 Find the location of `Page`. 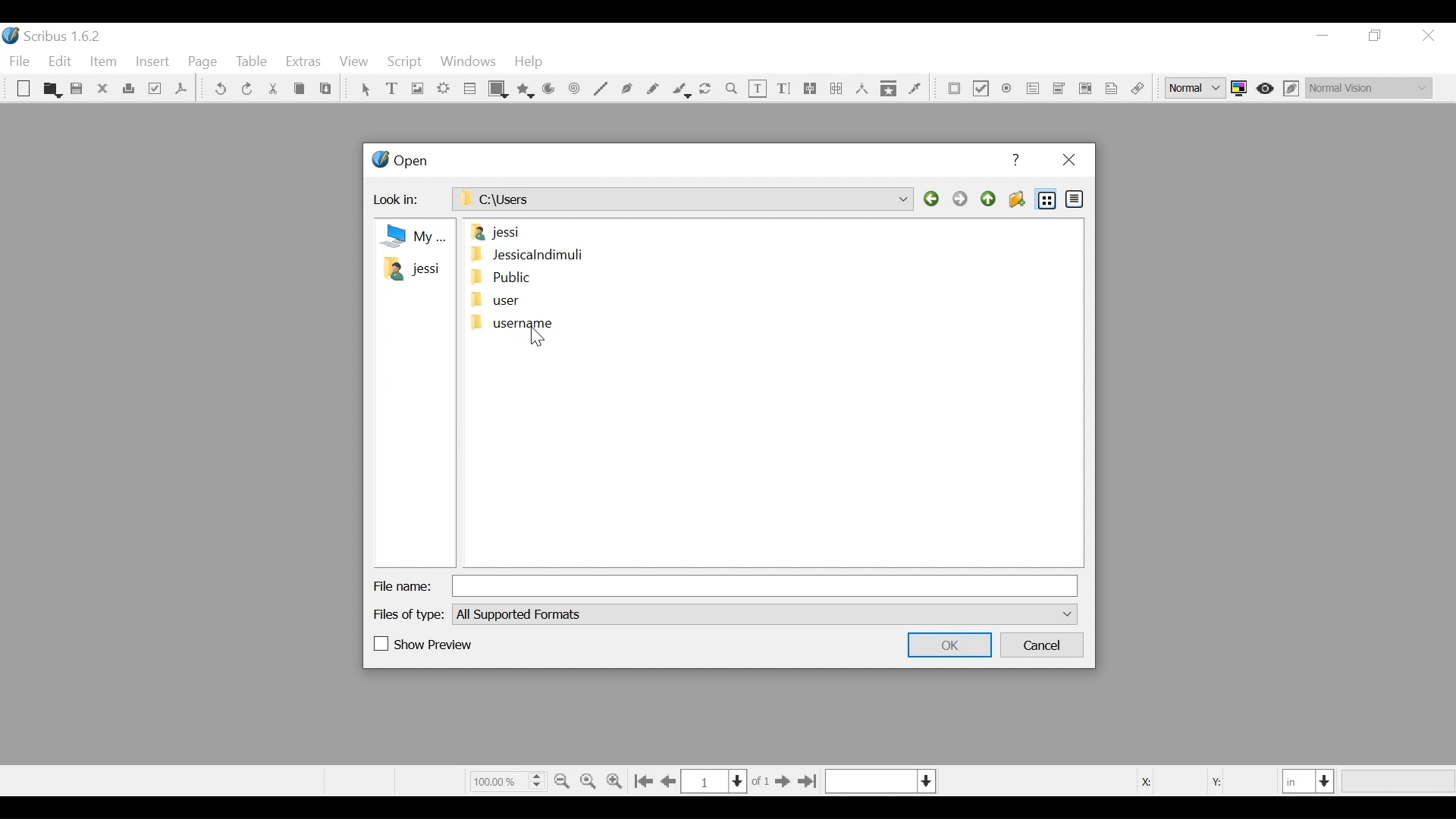

Page is located at coordinates (203, 63).